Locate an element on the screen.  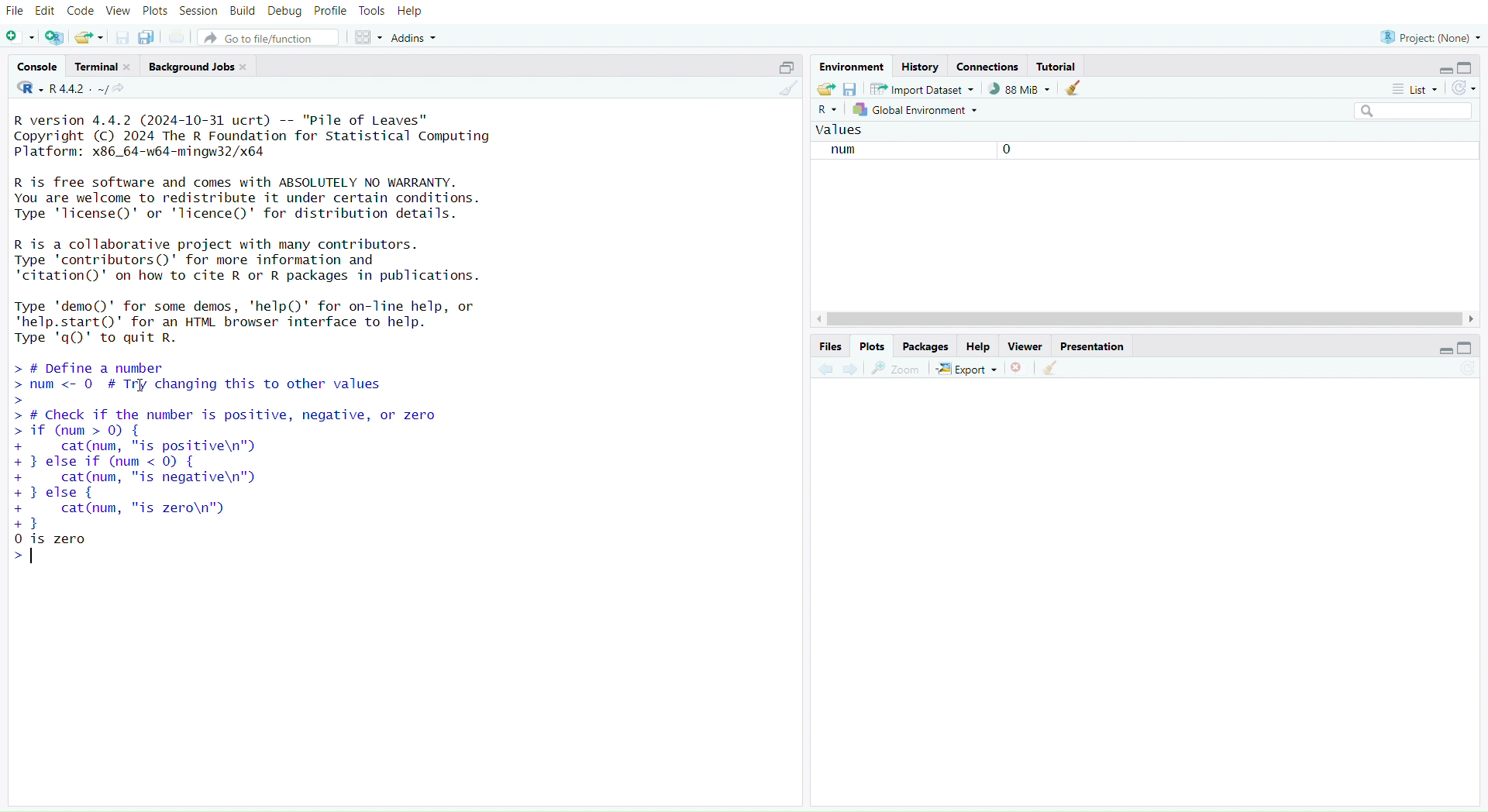
print current file  is located at coordinates (179, 38).